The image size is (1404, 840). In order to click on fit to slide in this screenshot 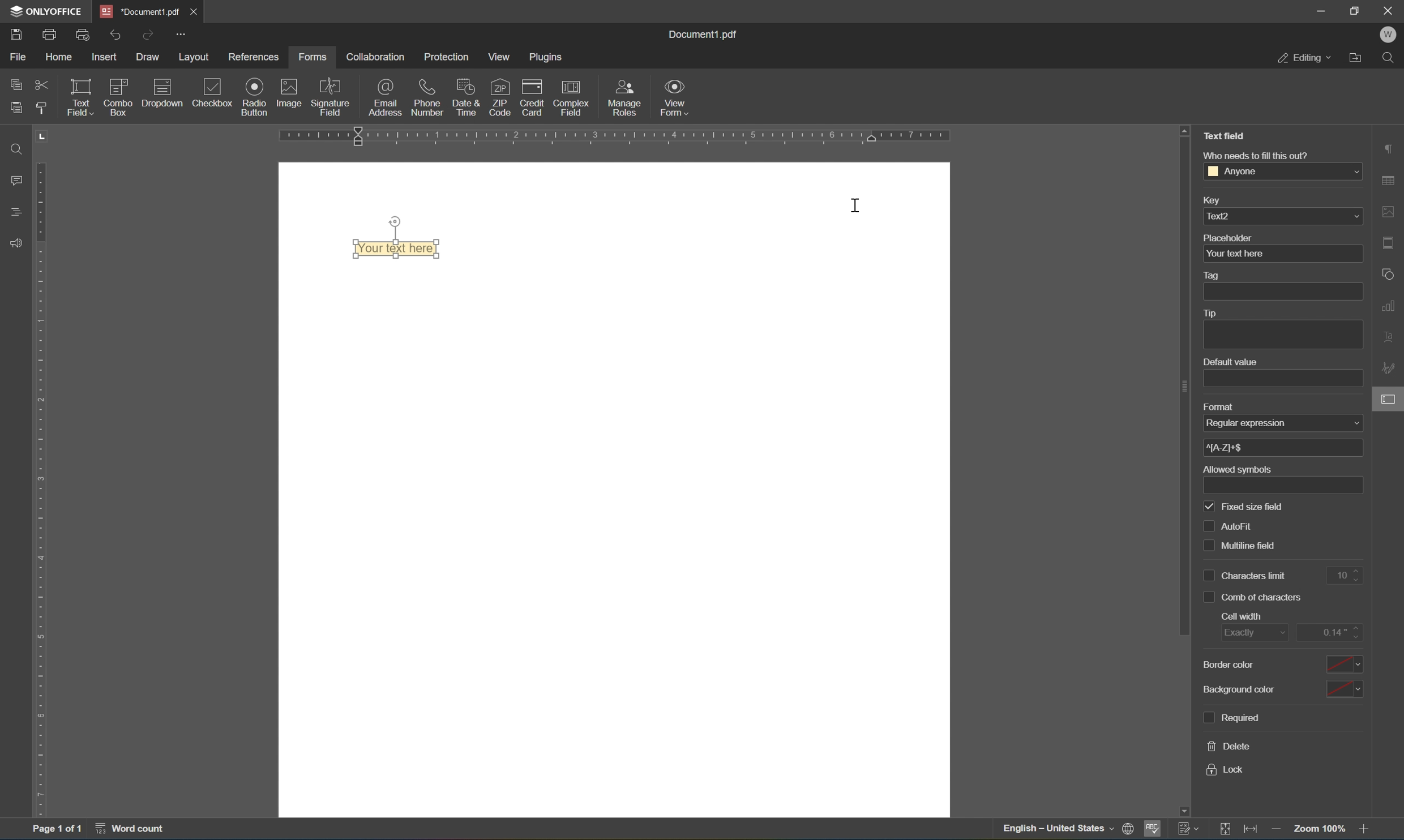, I will do `click(1222, 832)`.